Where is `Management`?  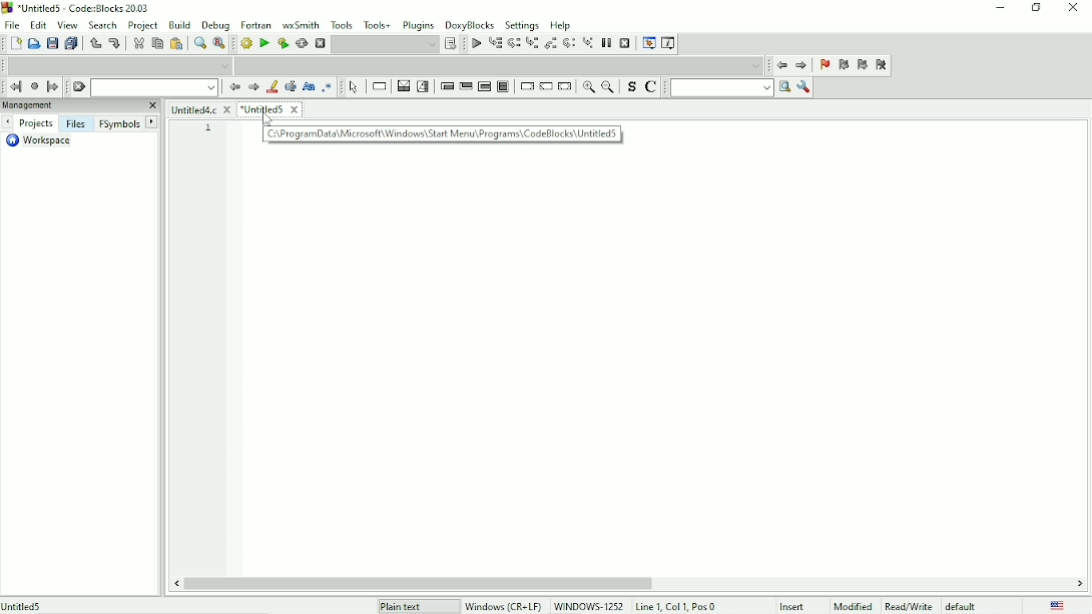 Management is located at coordinates (71, 106).